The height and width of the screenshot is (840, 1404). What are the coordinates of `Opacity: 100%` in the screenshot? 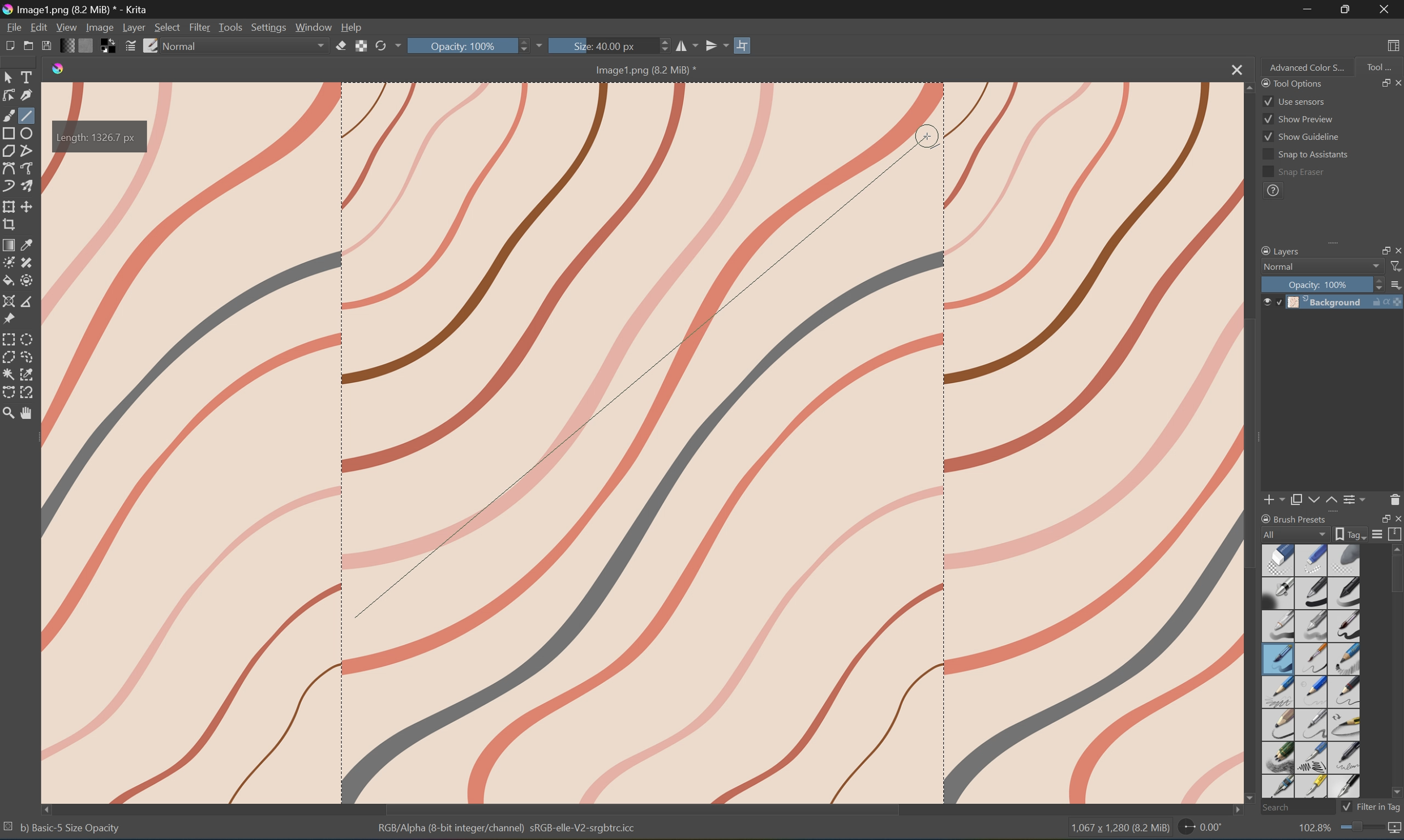 It's located at (1319, 284).